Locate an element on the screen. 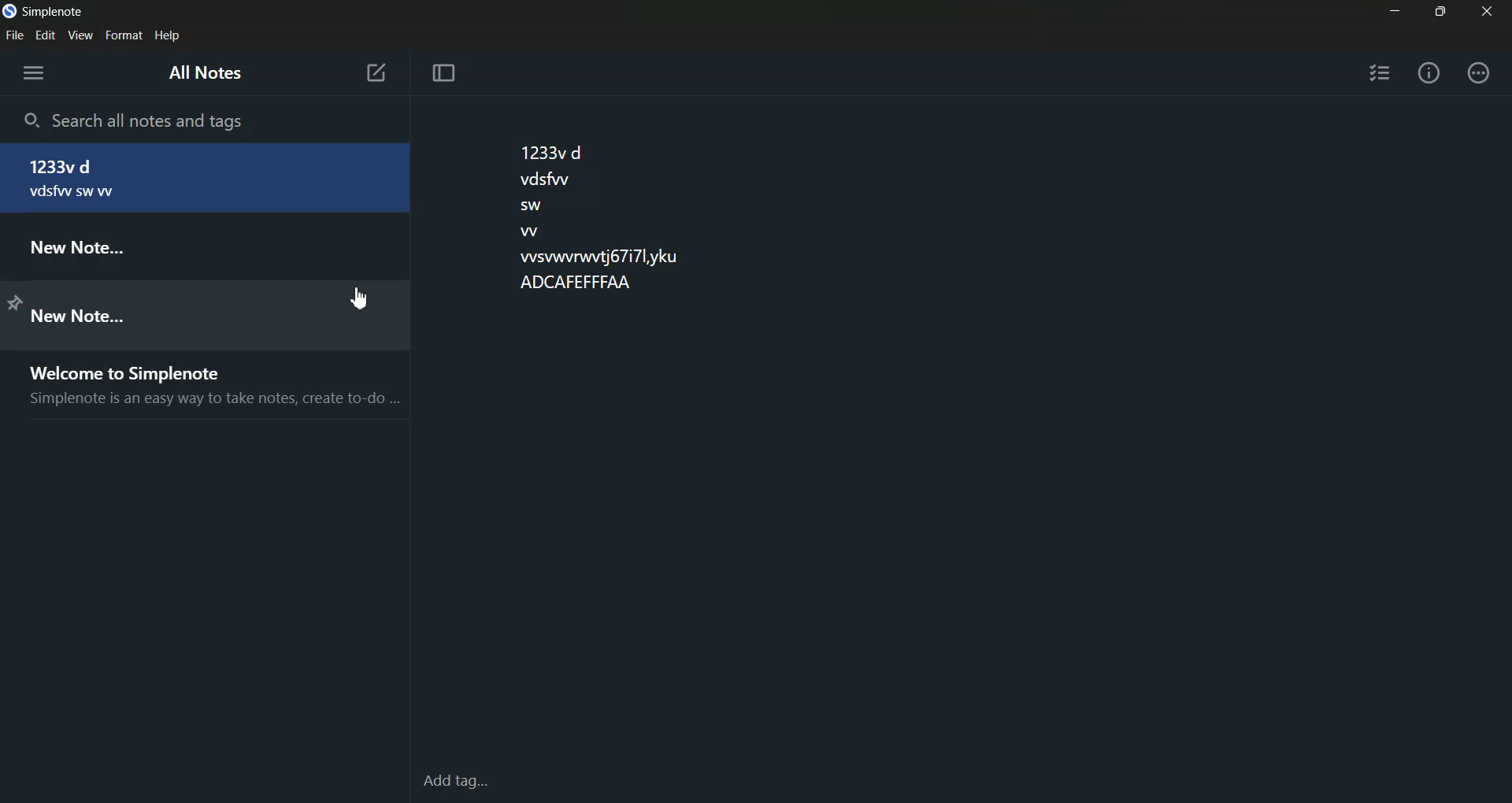  Note File is located at coordinates (204, 384).